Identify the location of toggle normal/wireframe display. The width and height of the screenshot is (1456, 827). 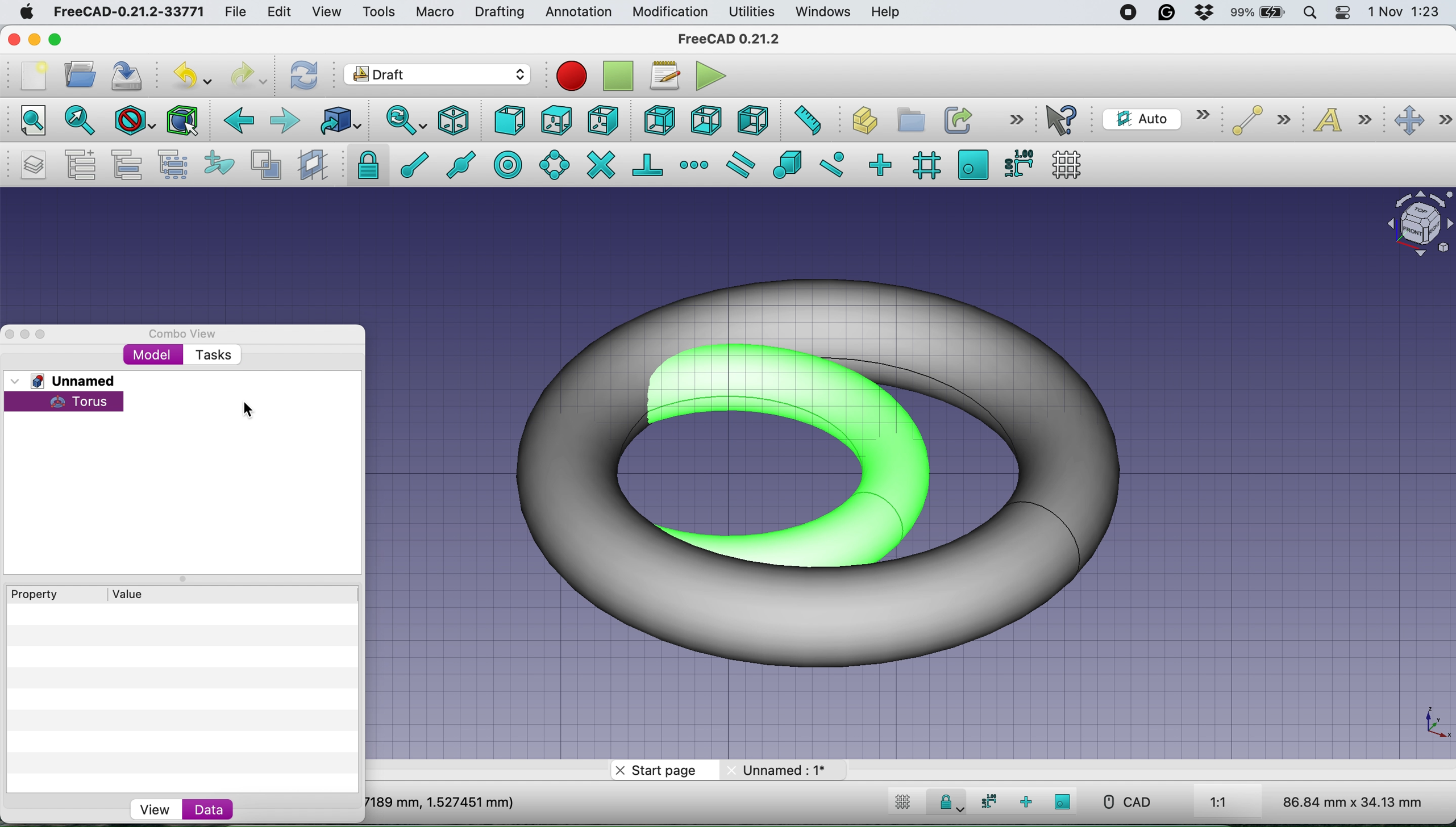
(265, 165).